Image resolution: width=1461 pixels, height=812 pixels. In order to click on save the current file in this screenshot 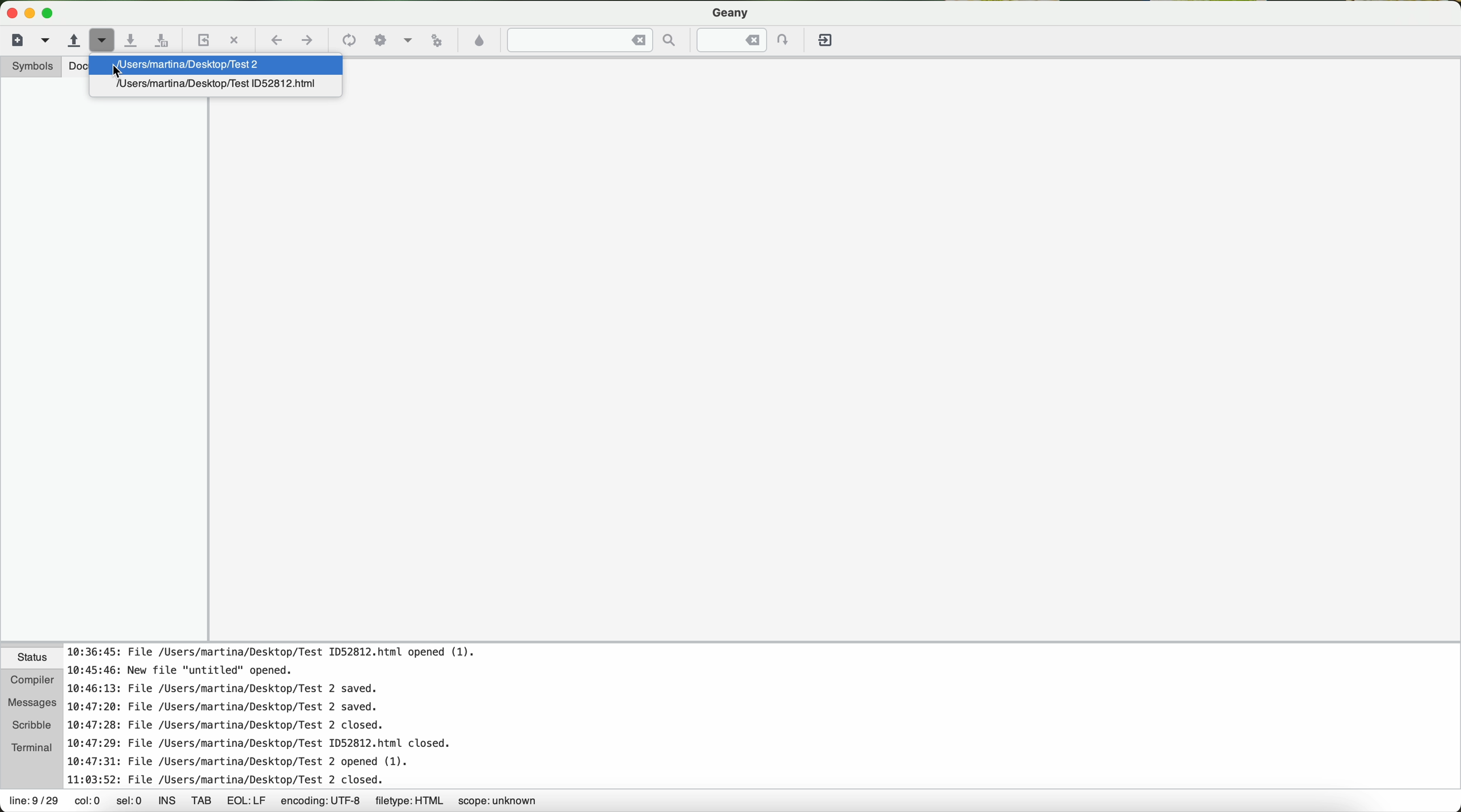, I will do `click(134, 41)`.